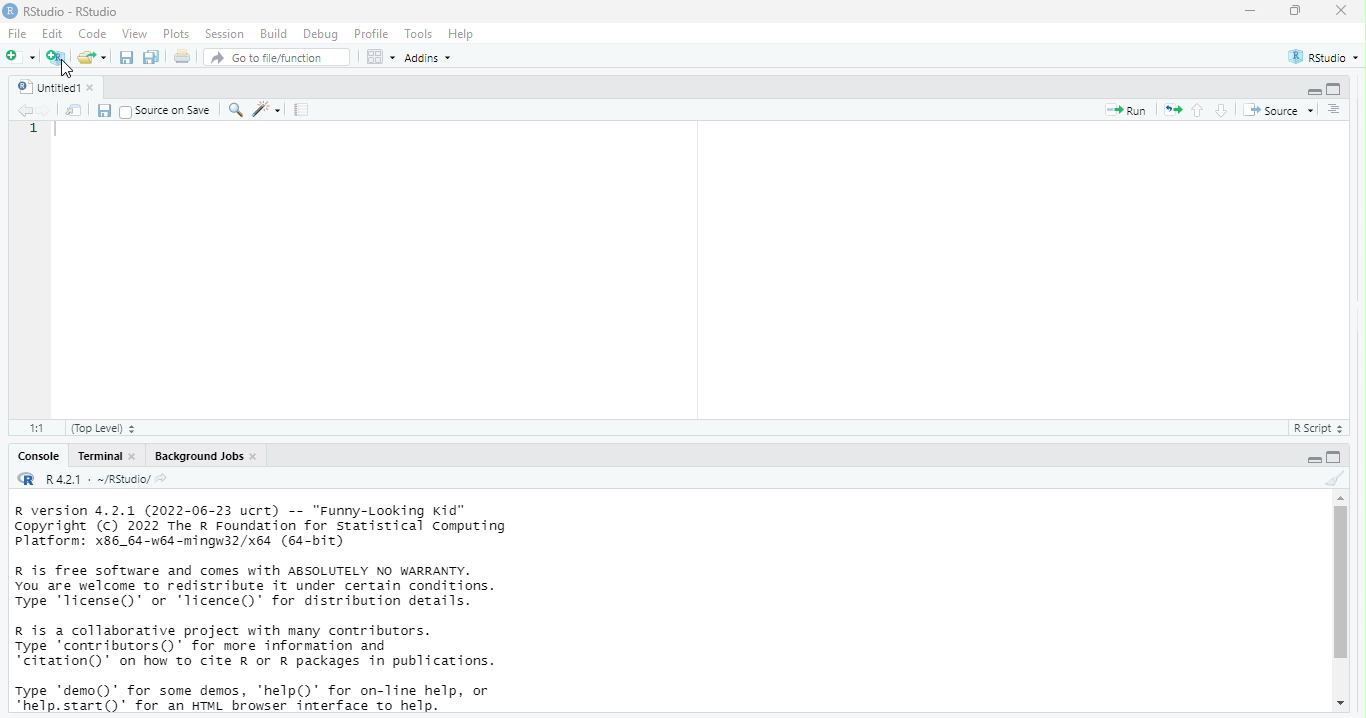 The image size is (1366, 718). I want to click on go to previous section/chunk, so click(1199, 108).